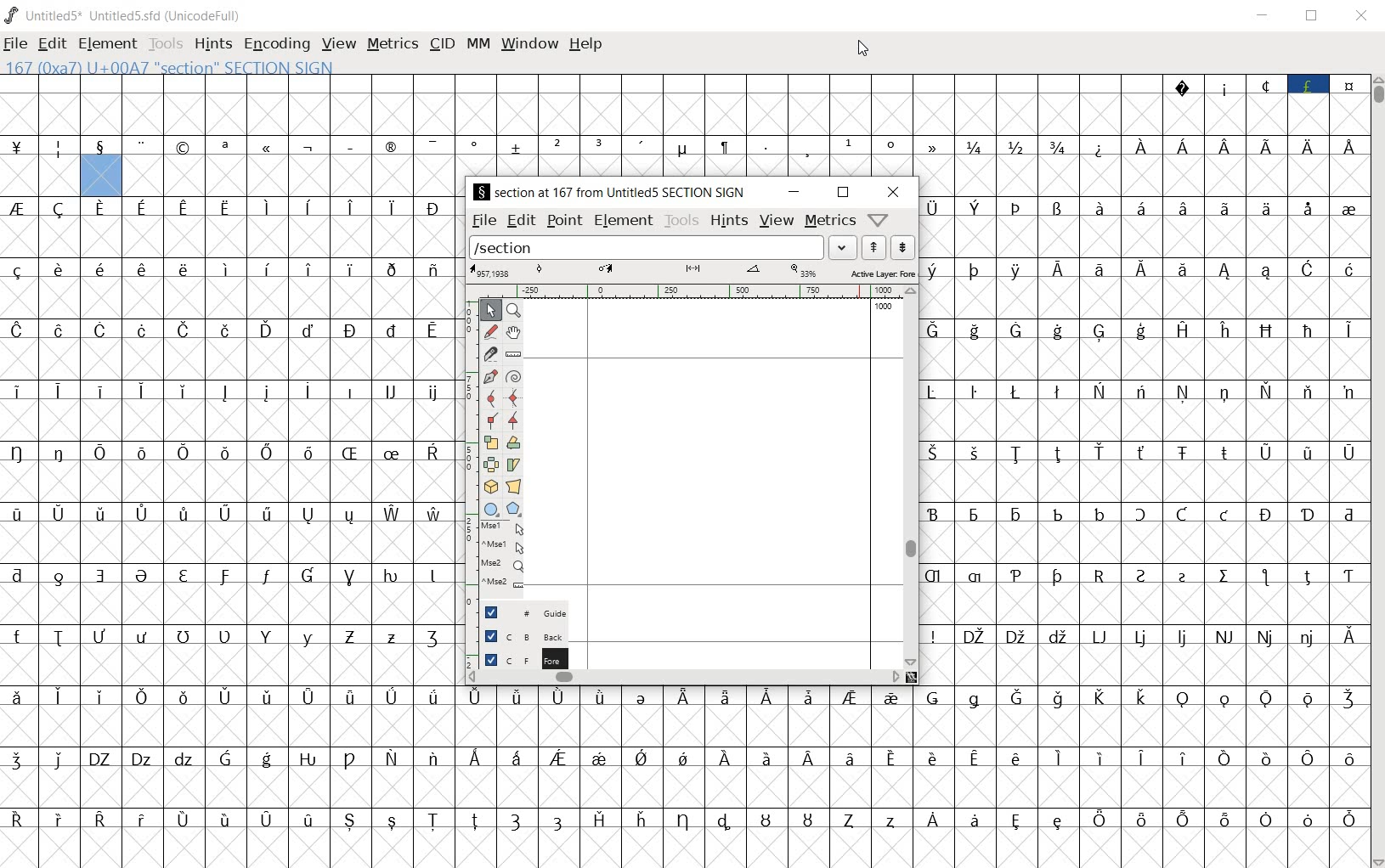  What do you see at coordinates (686, 786) in the screenshot?
I see `empty cells` at bounding box center [686, 786].